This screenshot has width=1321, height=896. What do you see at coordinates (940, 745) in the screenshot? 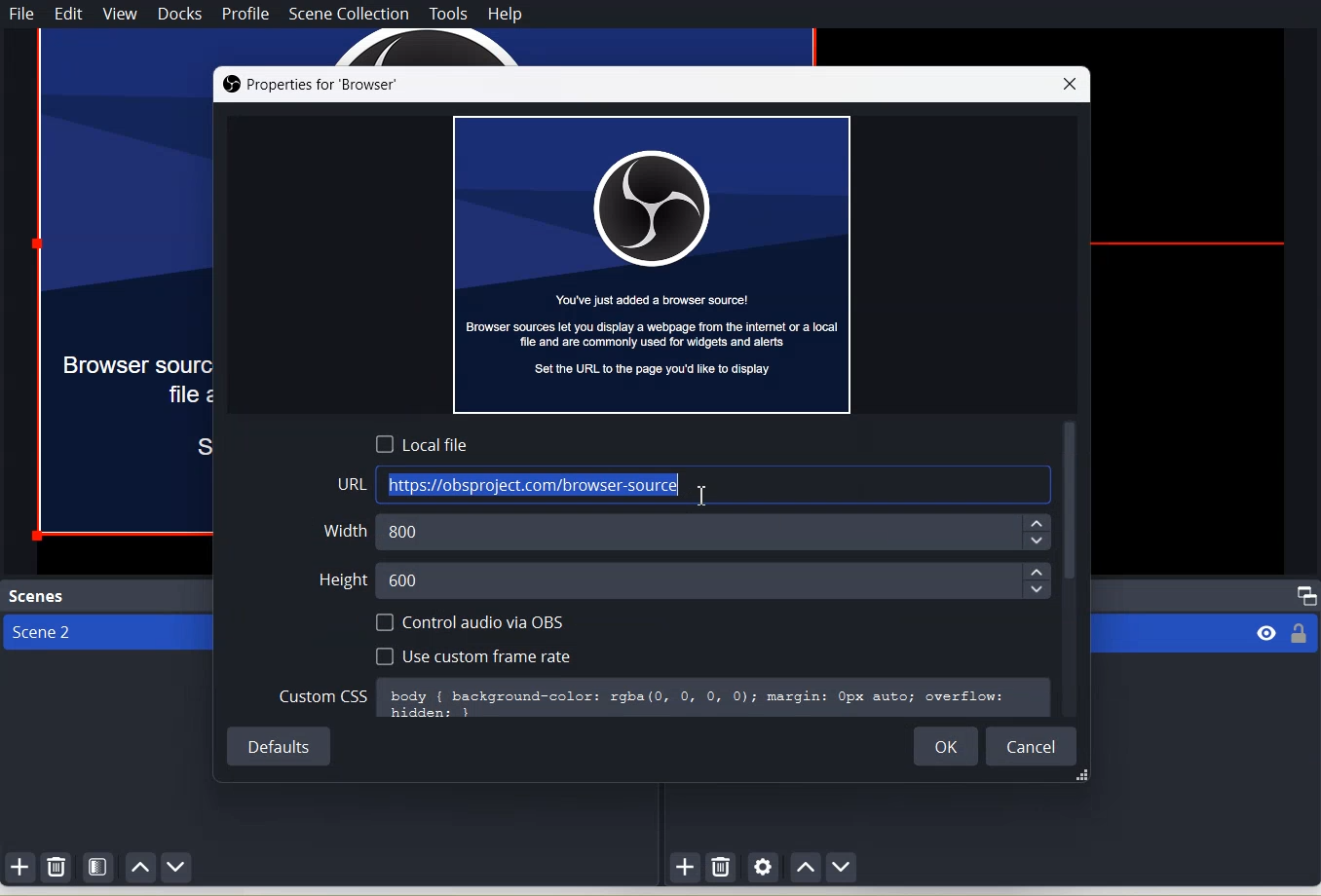
I see `OK` at bounding box center [940, 745].